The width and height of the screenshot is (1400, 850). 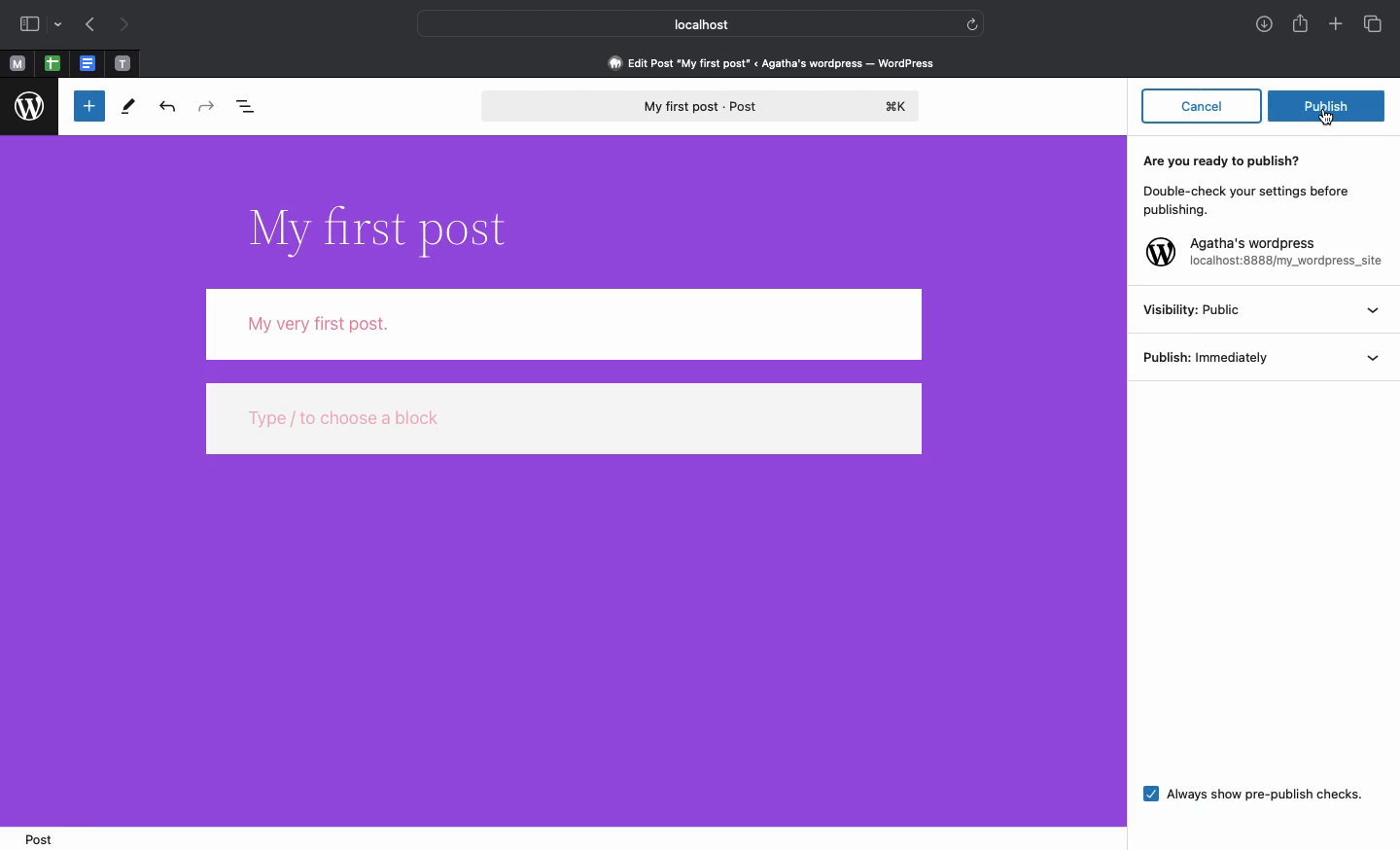 What do you see at coordinates (1265, 358) in the screenshot?
I see `Publish: inmediately` at bounding box center [1265, 358].